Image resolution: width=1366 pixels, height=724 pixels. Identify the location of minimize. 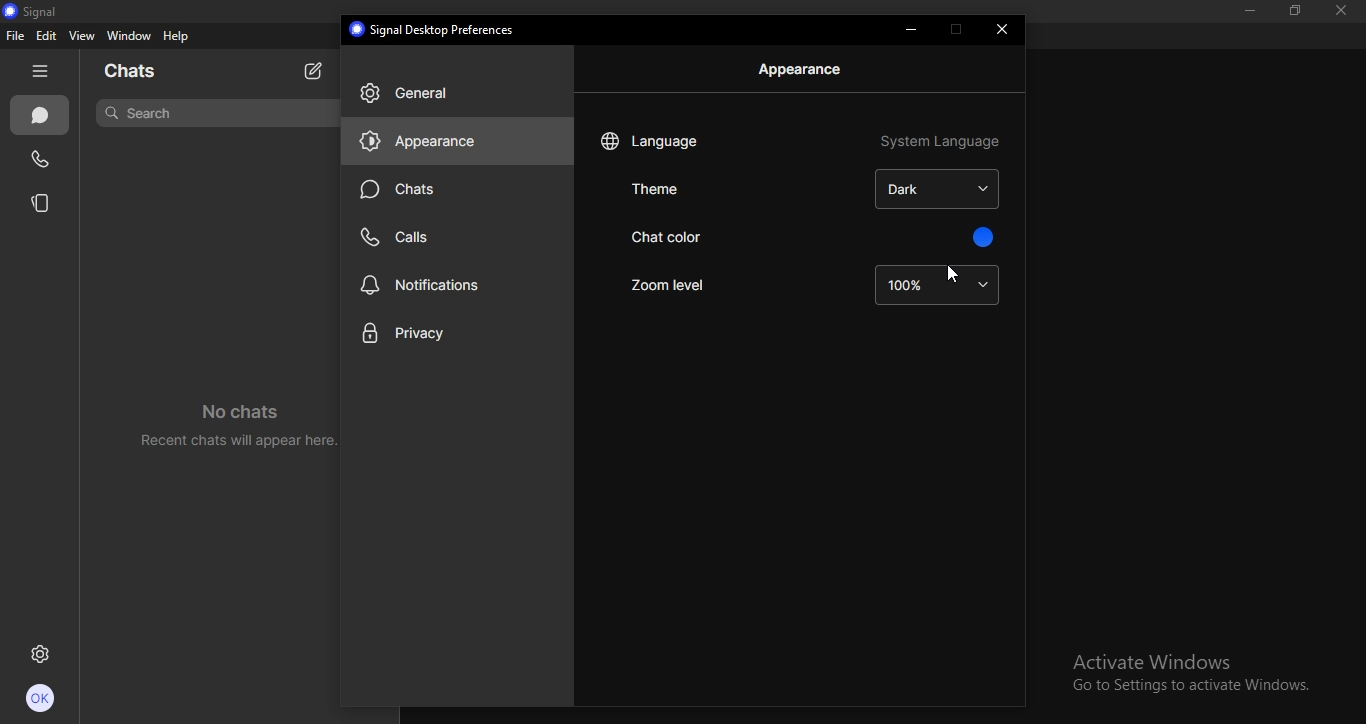
(915, 32).